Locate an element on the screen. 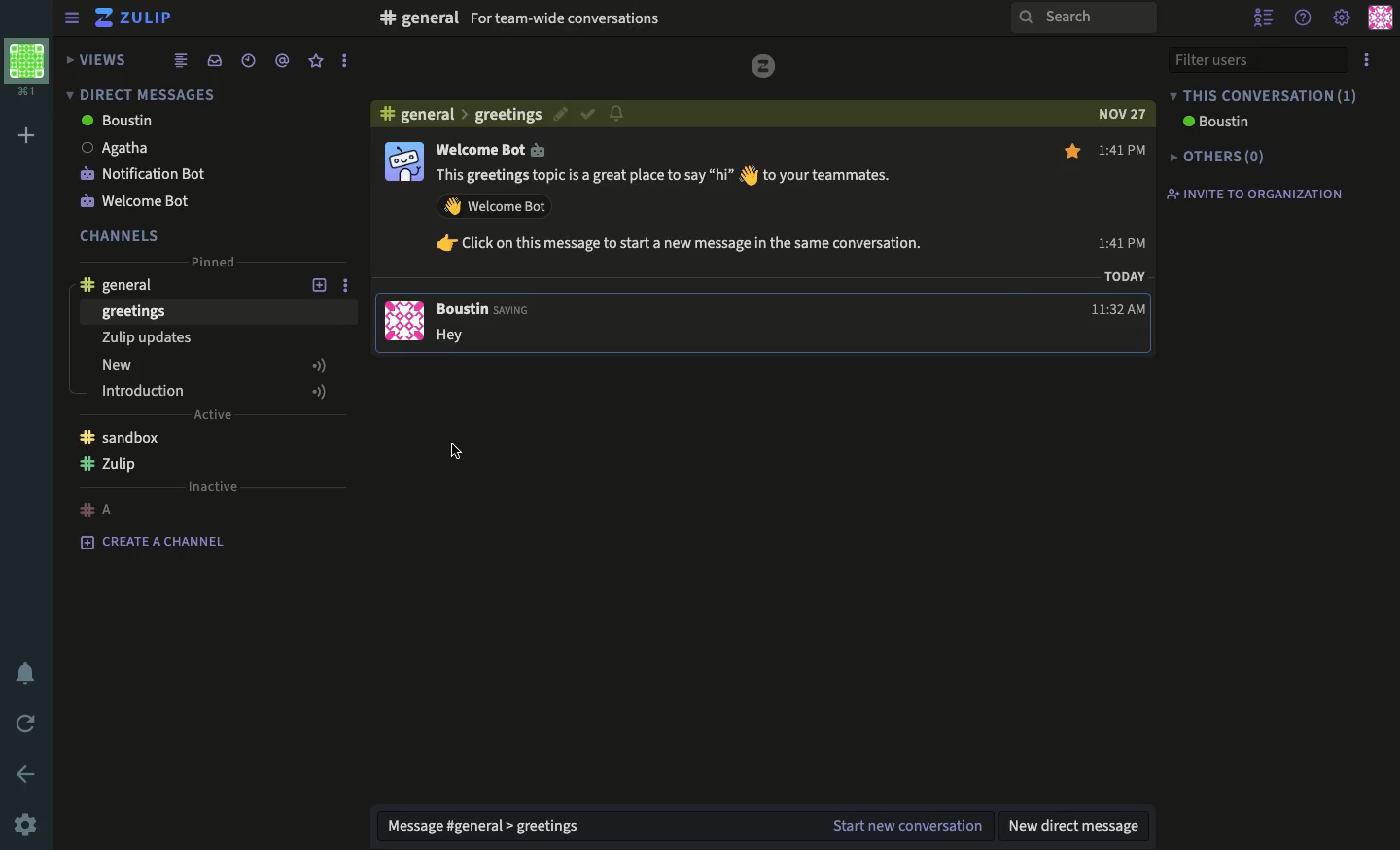 This screenshot has height=850, width=1400. Zulip is located at coordinates (764, 66).